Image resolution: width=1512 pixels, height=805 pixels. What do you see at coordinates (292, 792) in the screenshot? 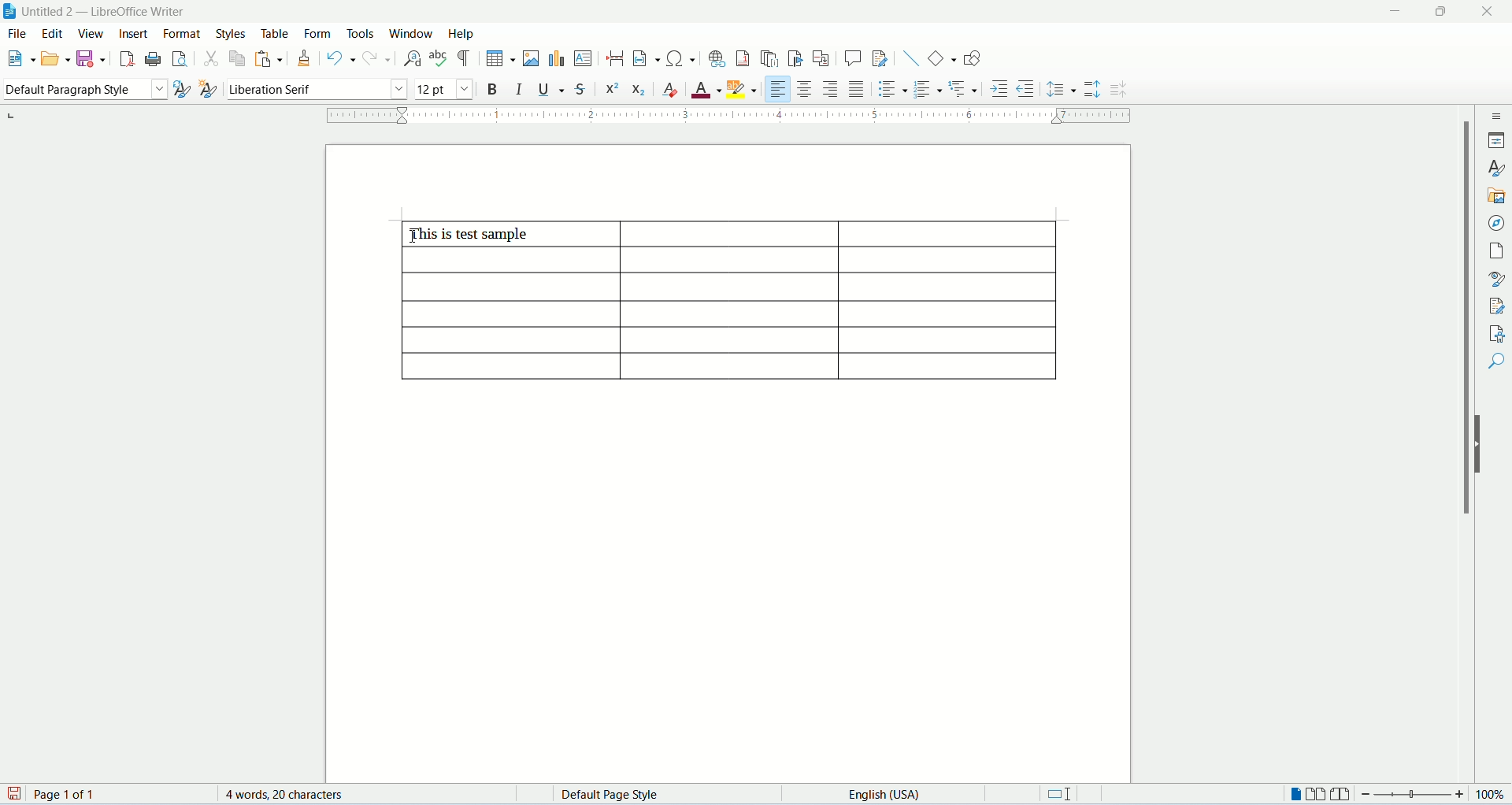
I see `word count` at bounding box center [292, 792].